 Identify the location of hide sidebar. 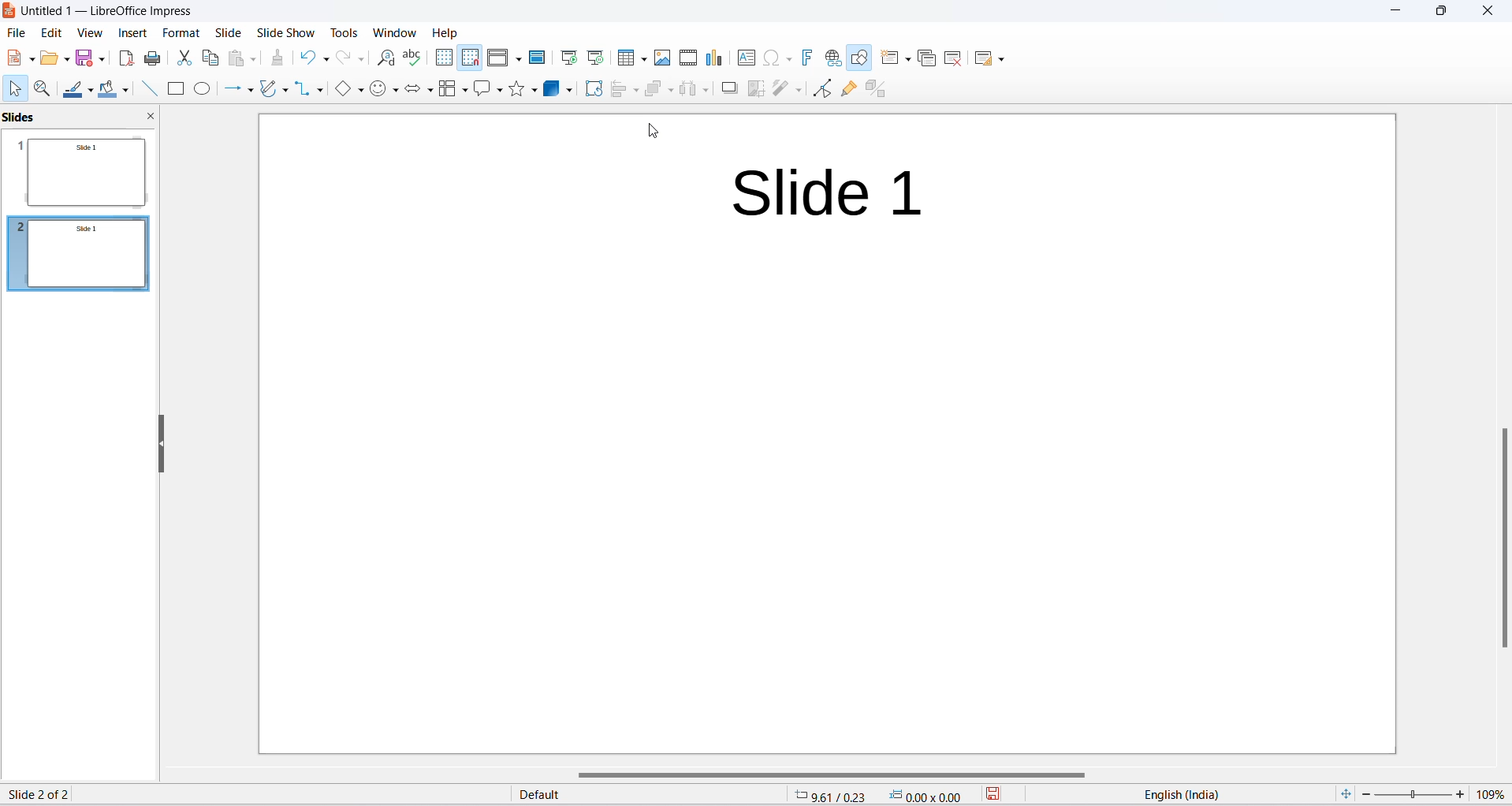
(158, 444).